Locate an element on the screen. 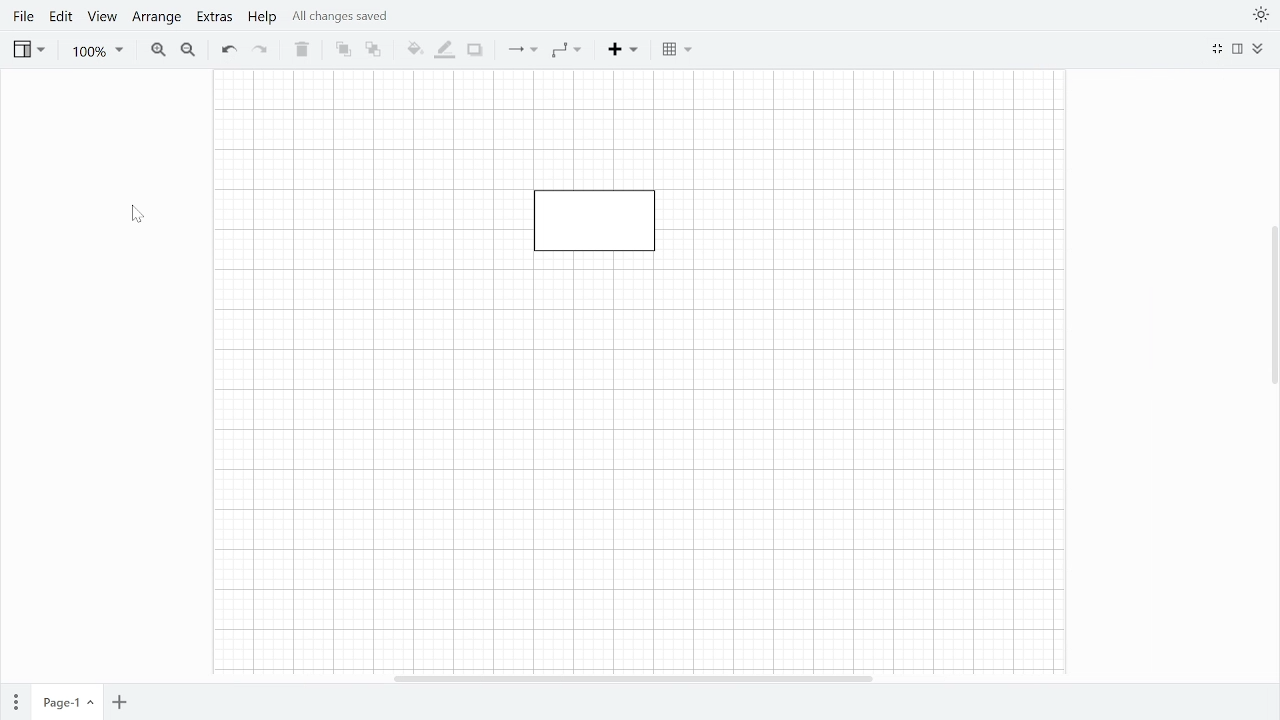 The width and height of the screenshot is (1280, 720). Fill color is located at coordinates (414, 51).